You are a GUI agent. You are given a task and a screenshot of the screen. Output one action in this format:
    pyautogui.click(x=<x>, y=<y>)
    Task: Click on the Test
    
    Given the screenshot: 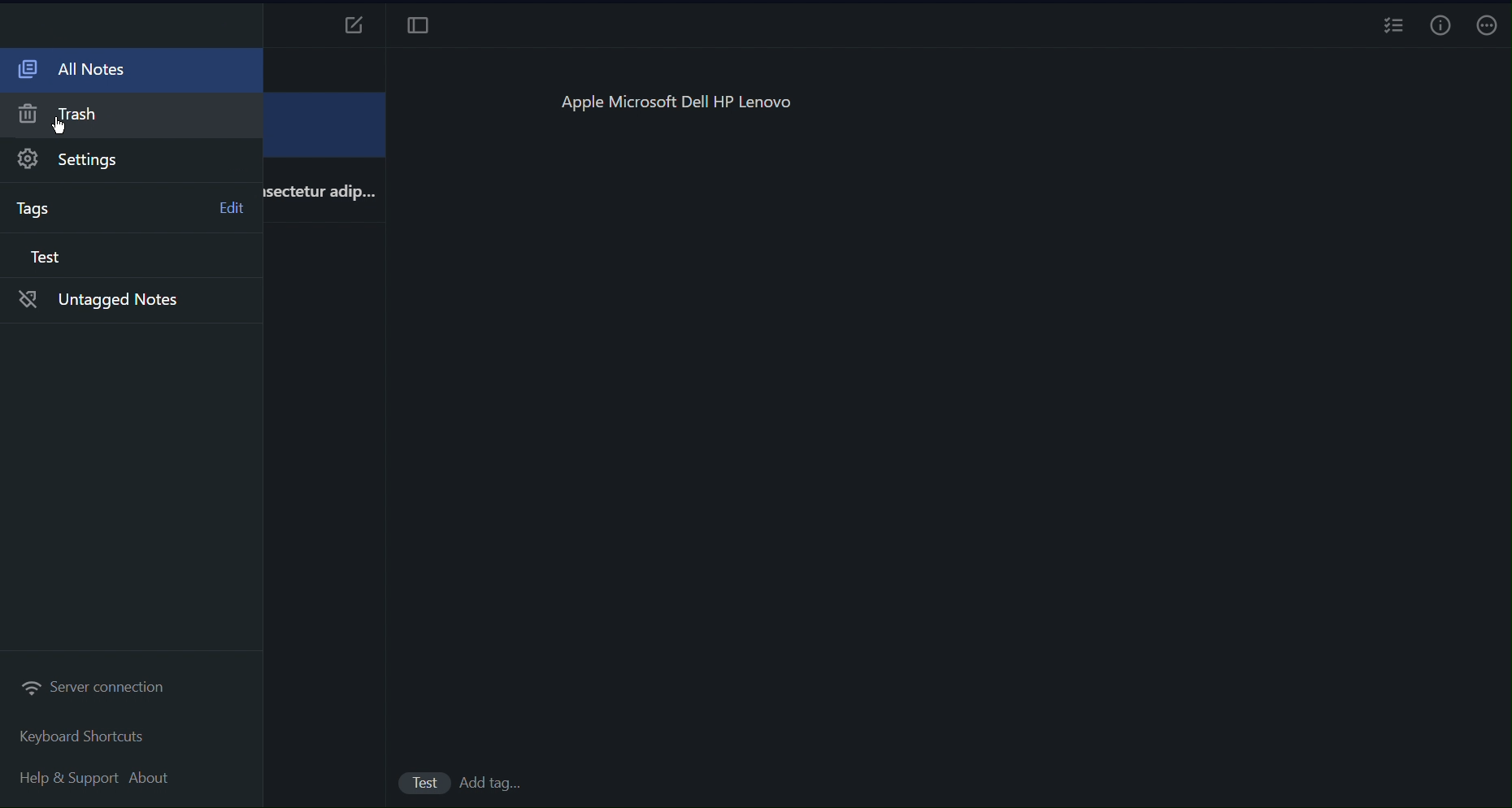 What is the action you would take?
    pyautogui.click(x=44, y=254)
    